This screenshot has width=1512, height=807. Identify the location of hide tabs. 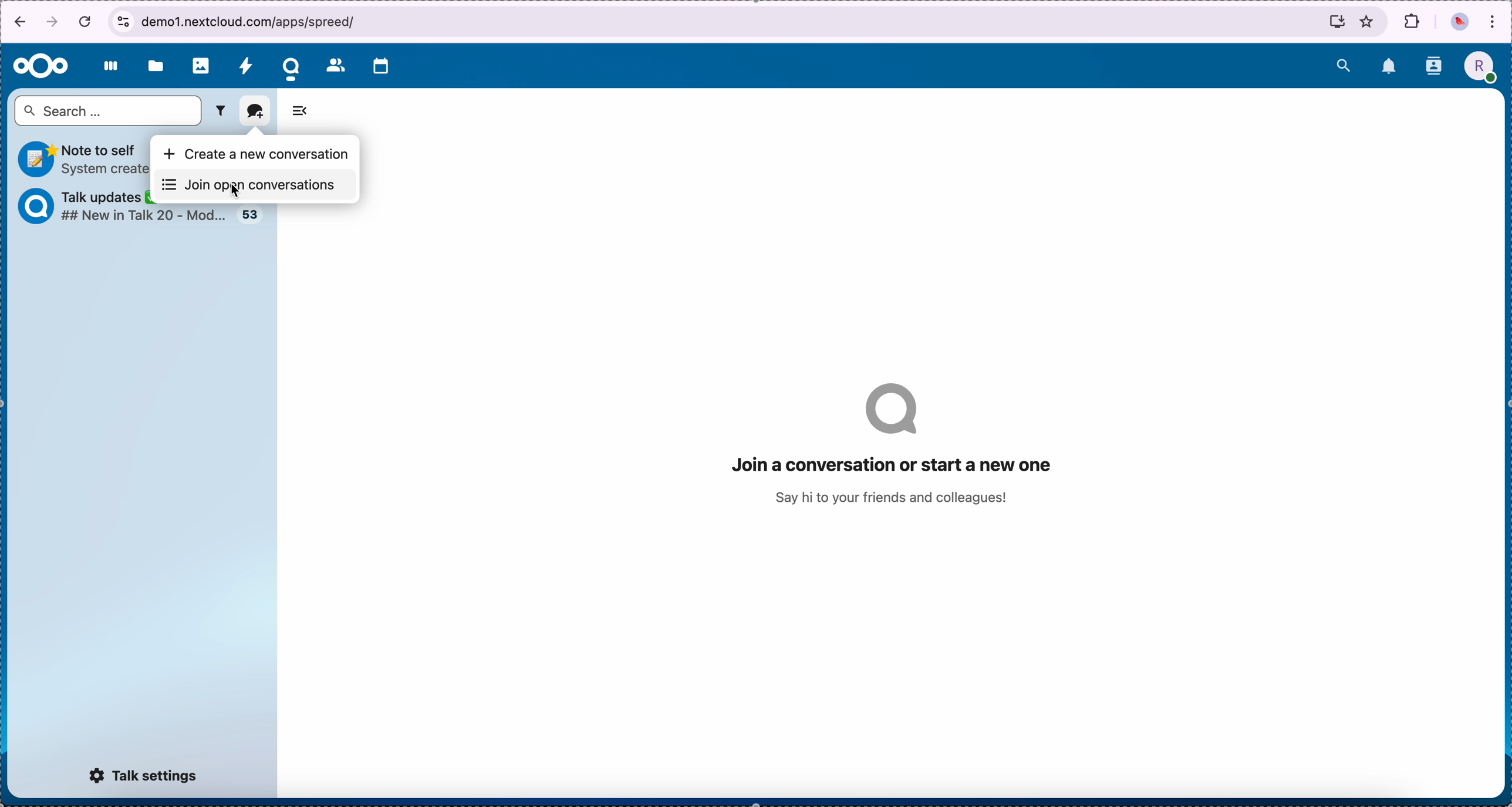
(301, 112).